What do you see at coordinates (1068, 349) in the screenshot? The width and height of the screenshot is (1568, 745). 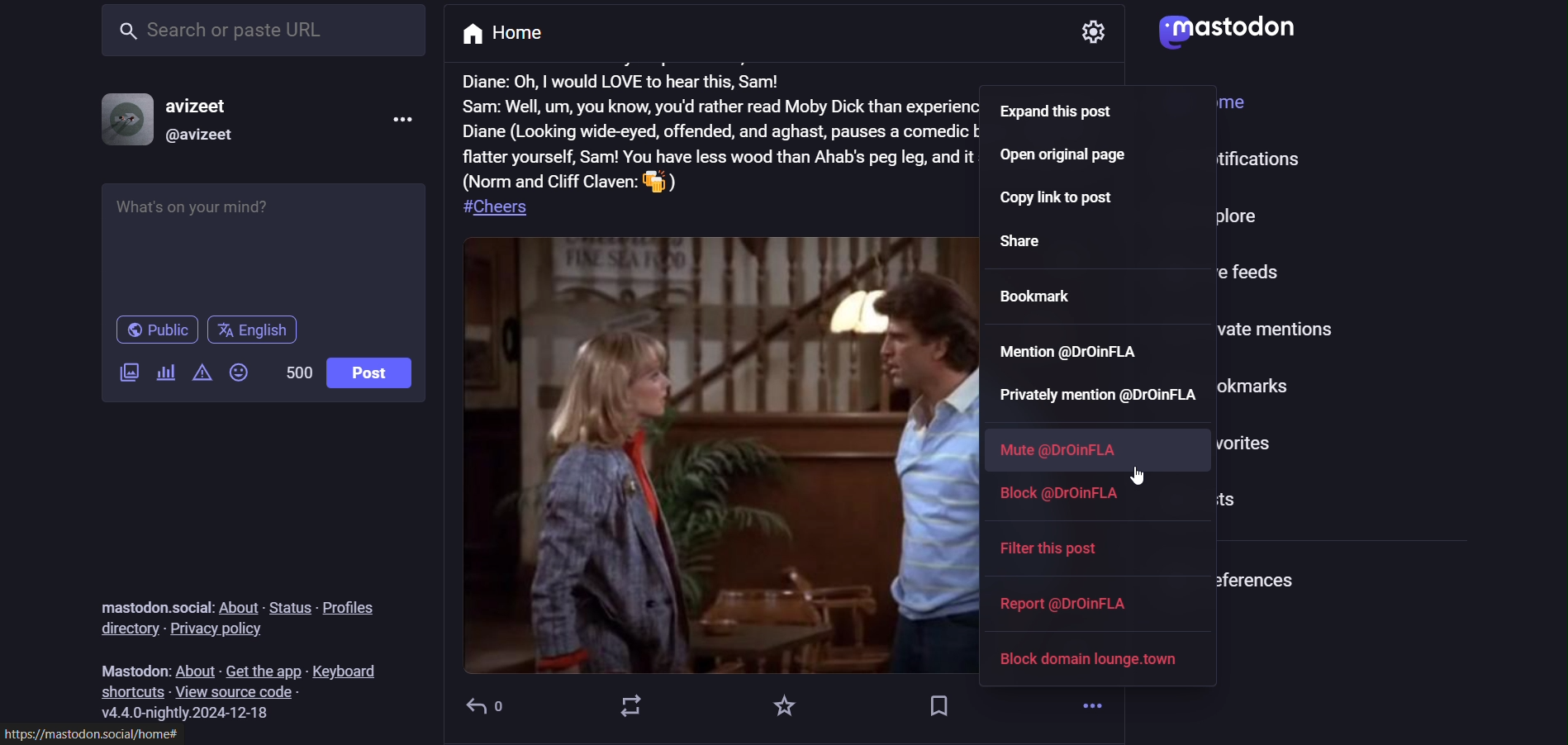 I see `mention user` at bounding box center [1068, 349].